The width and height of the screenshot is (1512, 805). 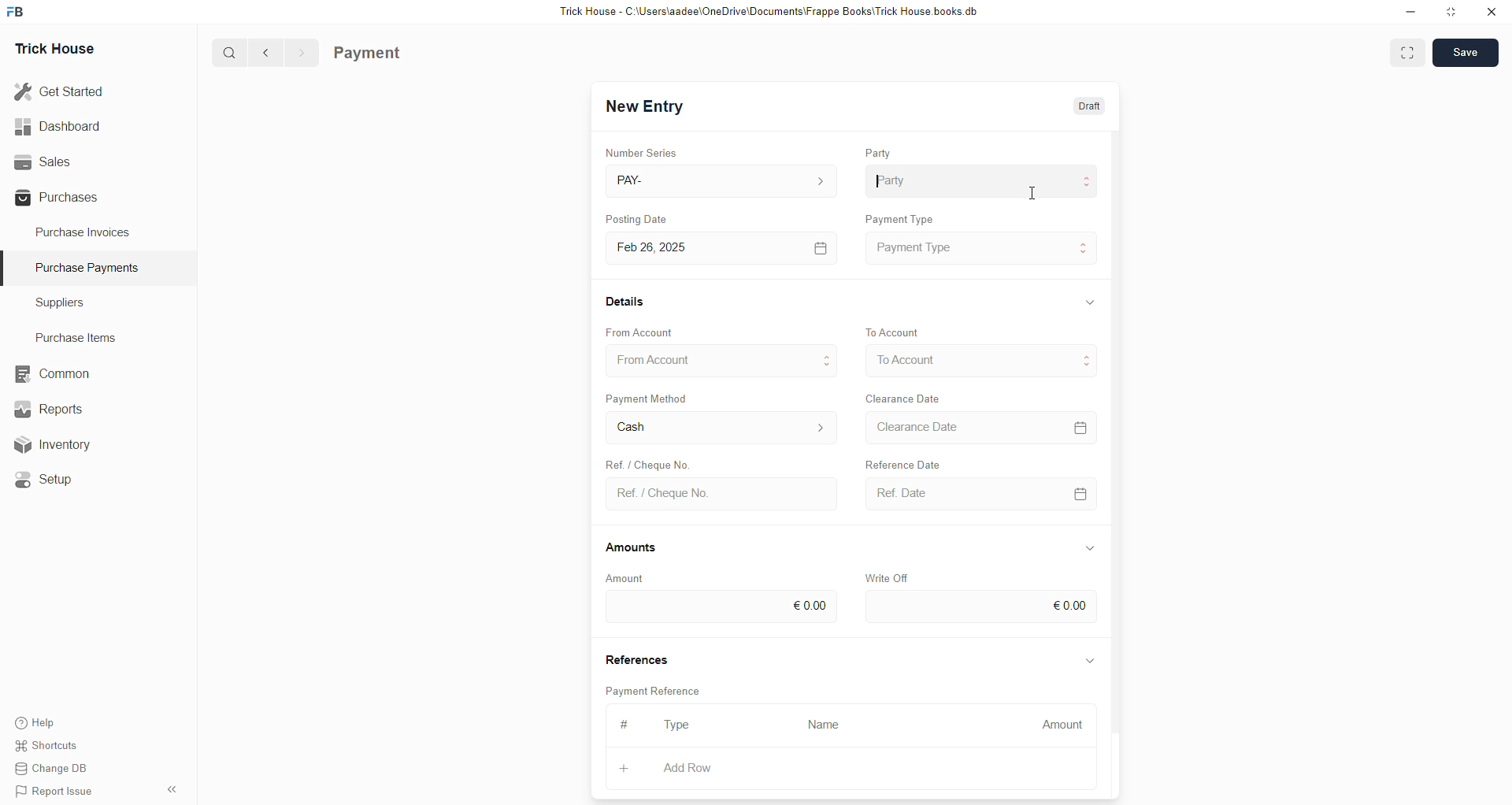 What do you see at coordinates (73, 336) in the screenshot?
I see `Purchase Items.` at bounding box center [73, 336].